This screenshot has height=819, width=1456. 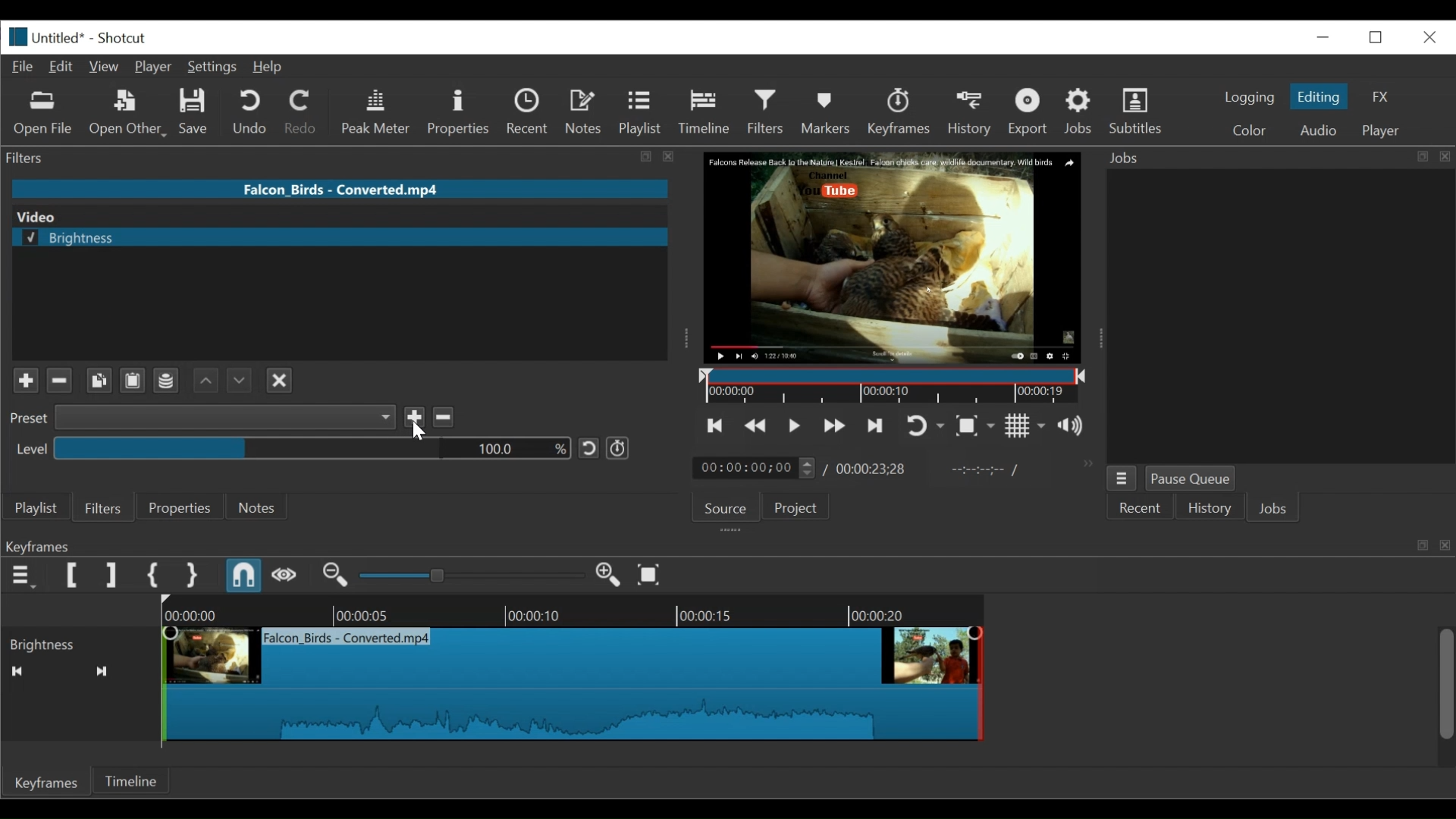 I want to click on Peak Meter, so click(x=376, y=113).